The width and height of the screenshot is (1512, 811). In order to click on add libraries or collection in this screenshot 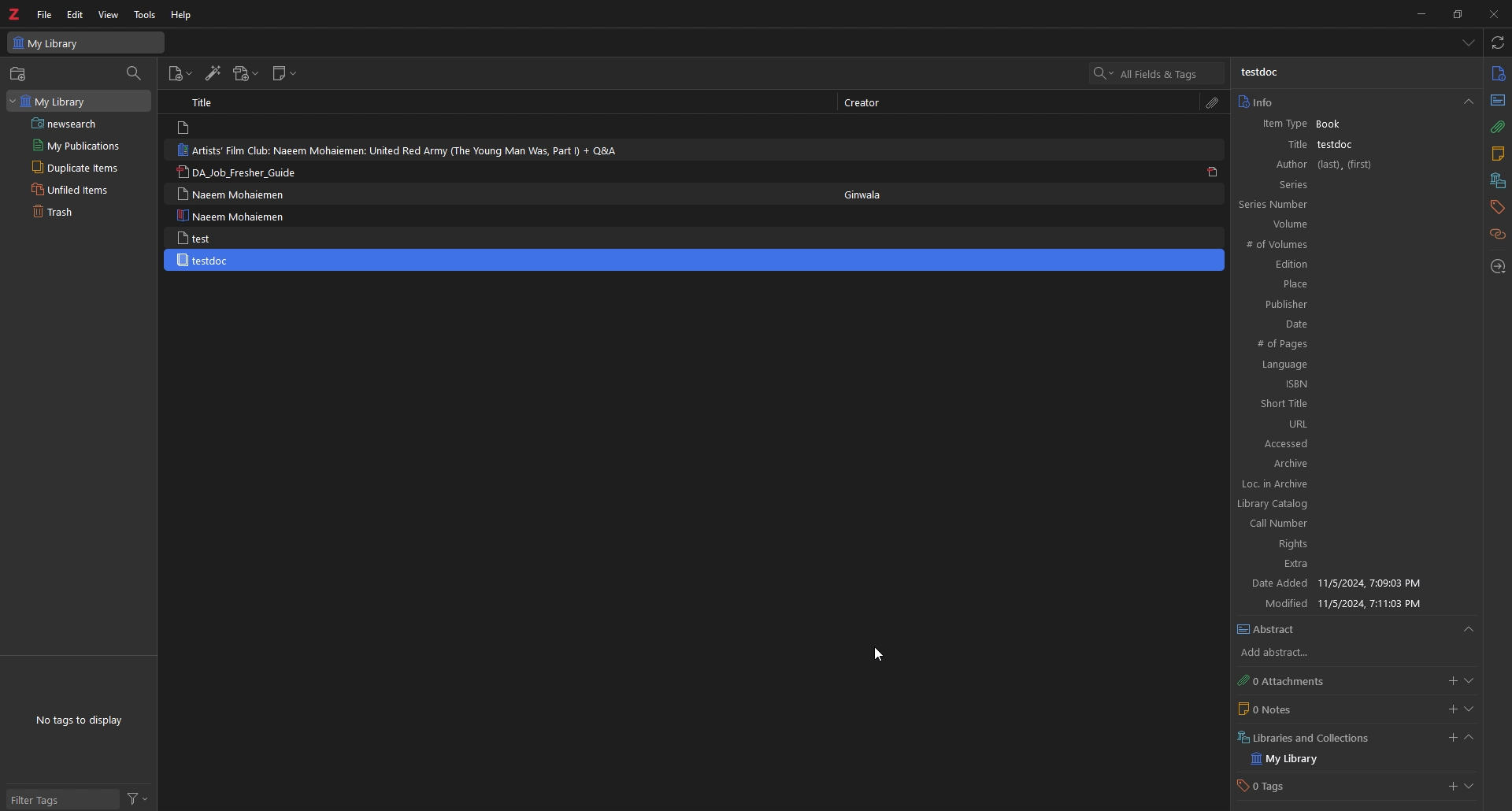, I will do `click(1450, 740)`.